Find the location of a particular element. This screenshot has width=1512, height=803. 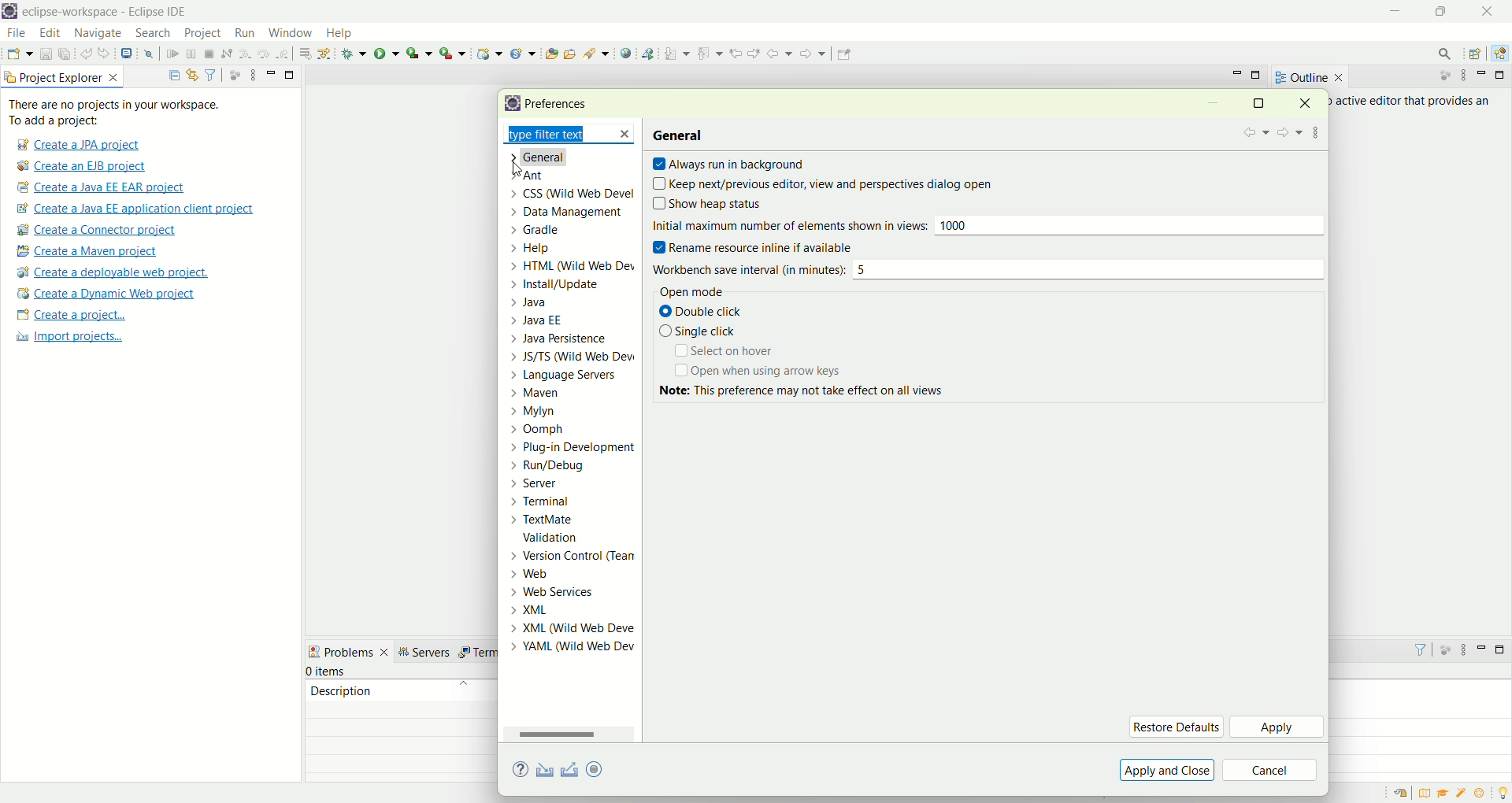

open perspective is located at coordinates (1477, 55).